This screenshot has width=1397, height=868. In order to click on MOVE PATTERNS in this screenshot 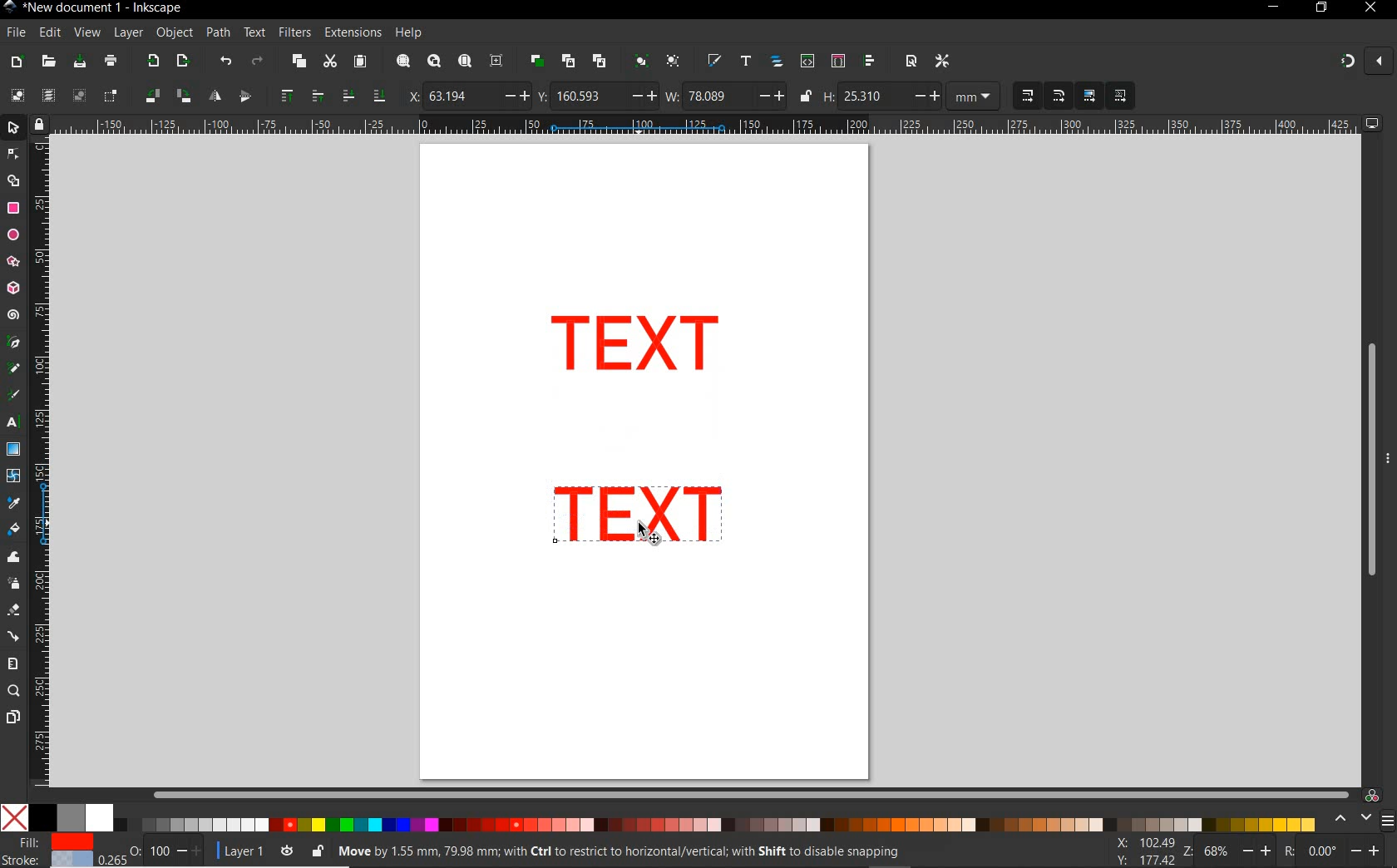, I will do `click(1119, 96)`.